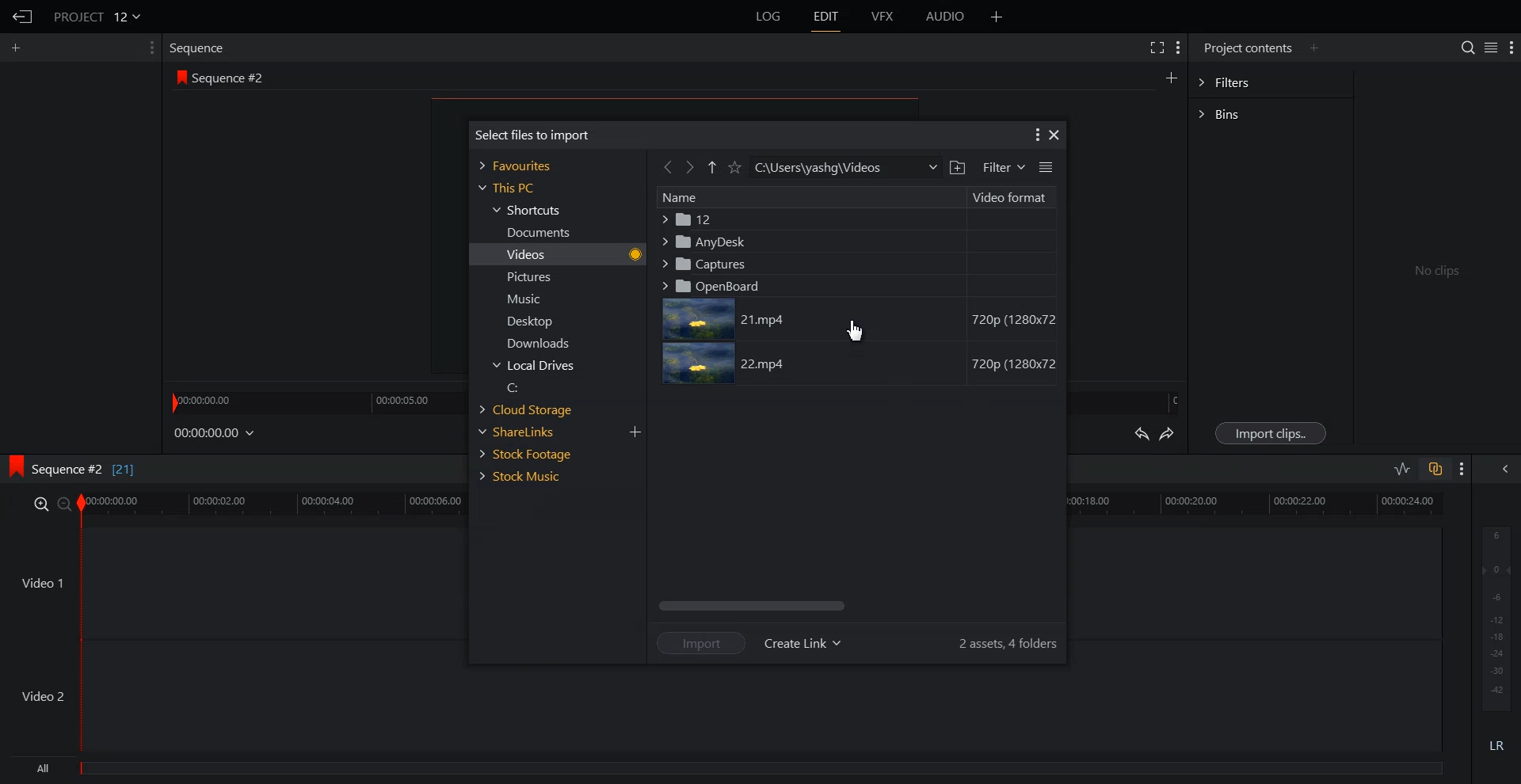 The height and width of the screenshot is (784, 1521). What do you see at coordinates (635, 432) in the screenshot?
I see `Add` at bounding box center [635, 432].